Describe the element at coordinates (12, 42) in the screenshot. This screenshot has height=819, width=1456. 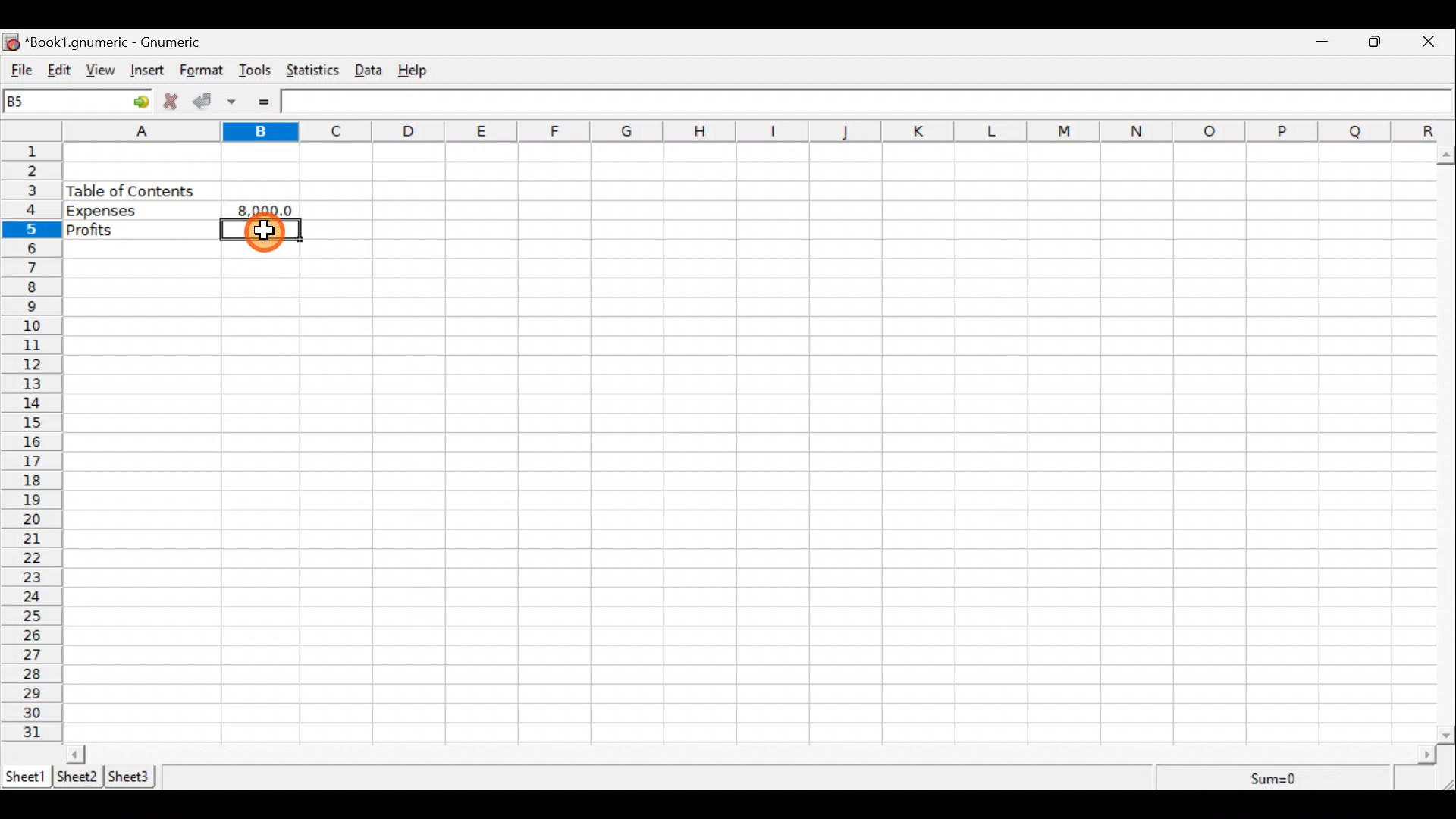
I see `icon` at that location.